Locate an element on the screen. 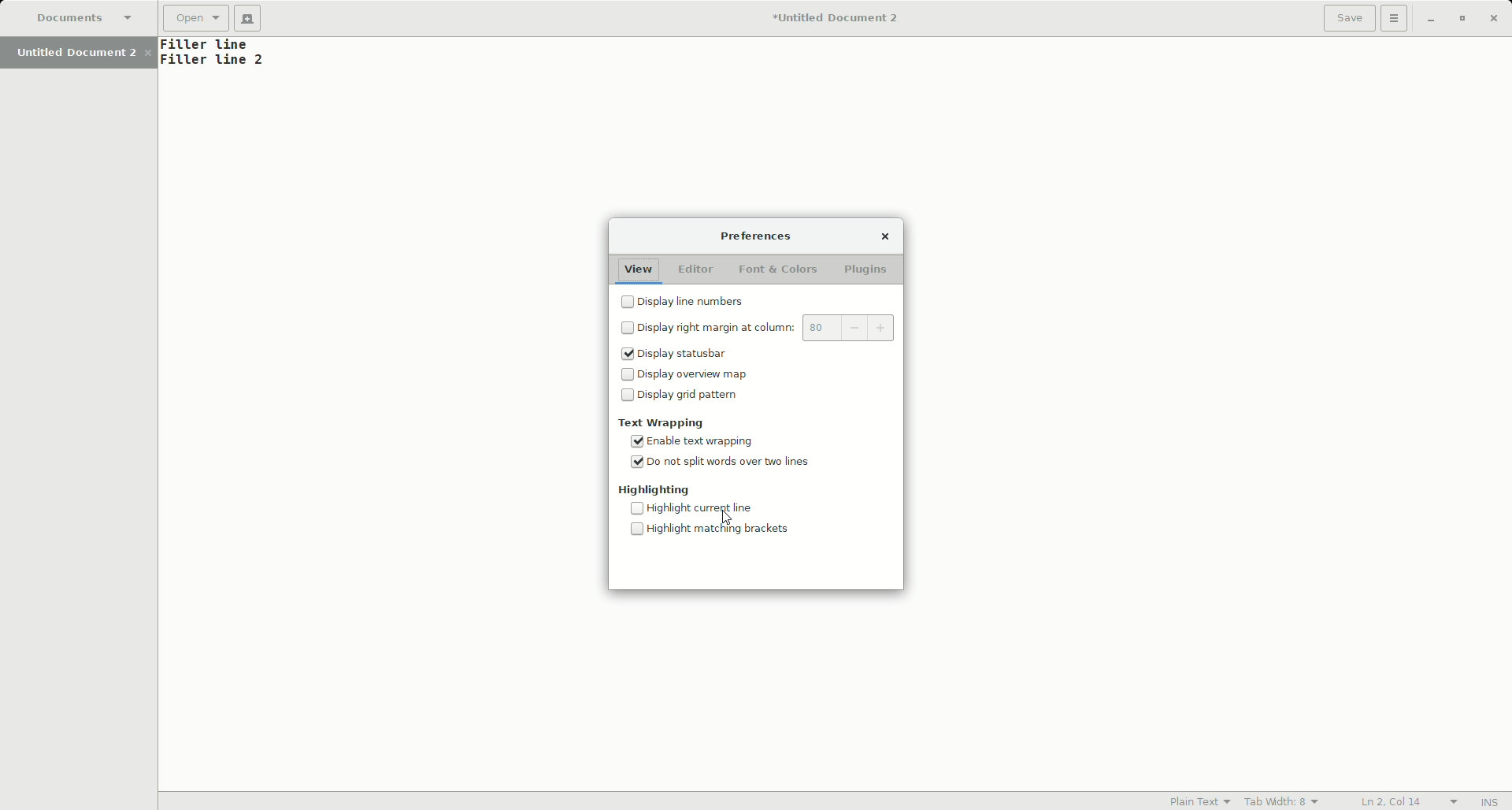  Matching brackets is located at coordinates (717, 531).